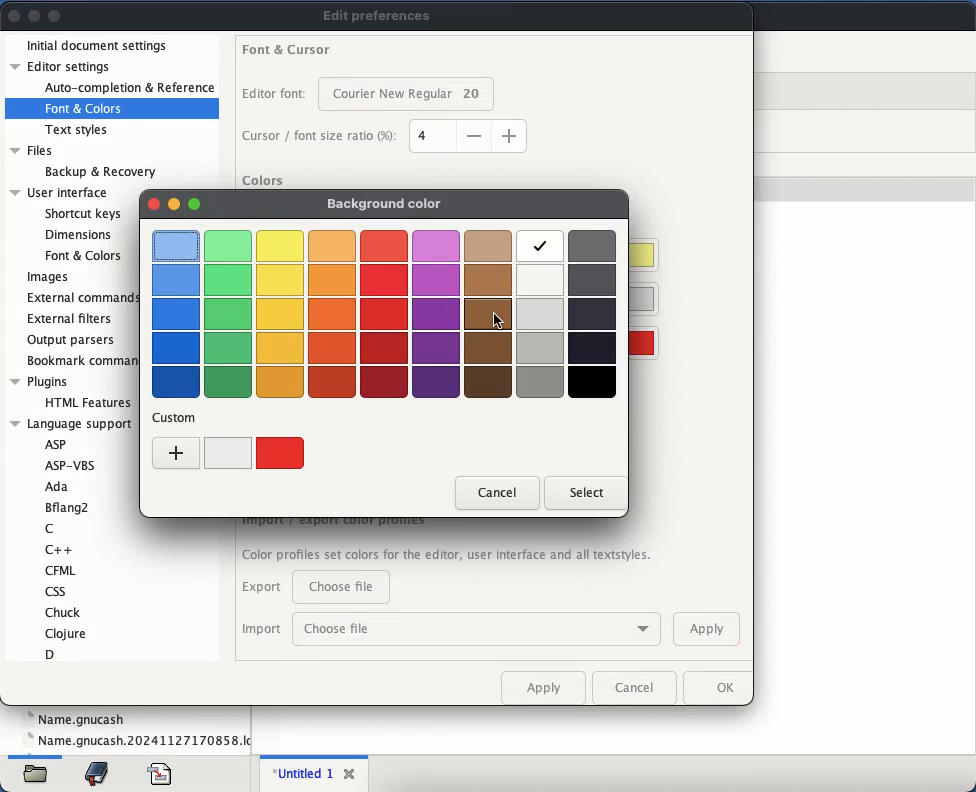  What do you see at coordinates (637, 686) in the screenshot?
I see `cancel` at bounding box center [637, 686].